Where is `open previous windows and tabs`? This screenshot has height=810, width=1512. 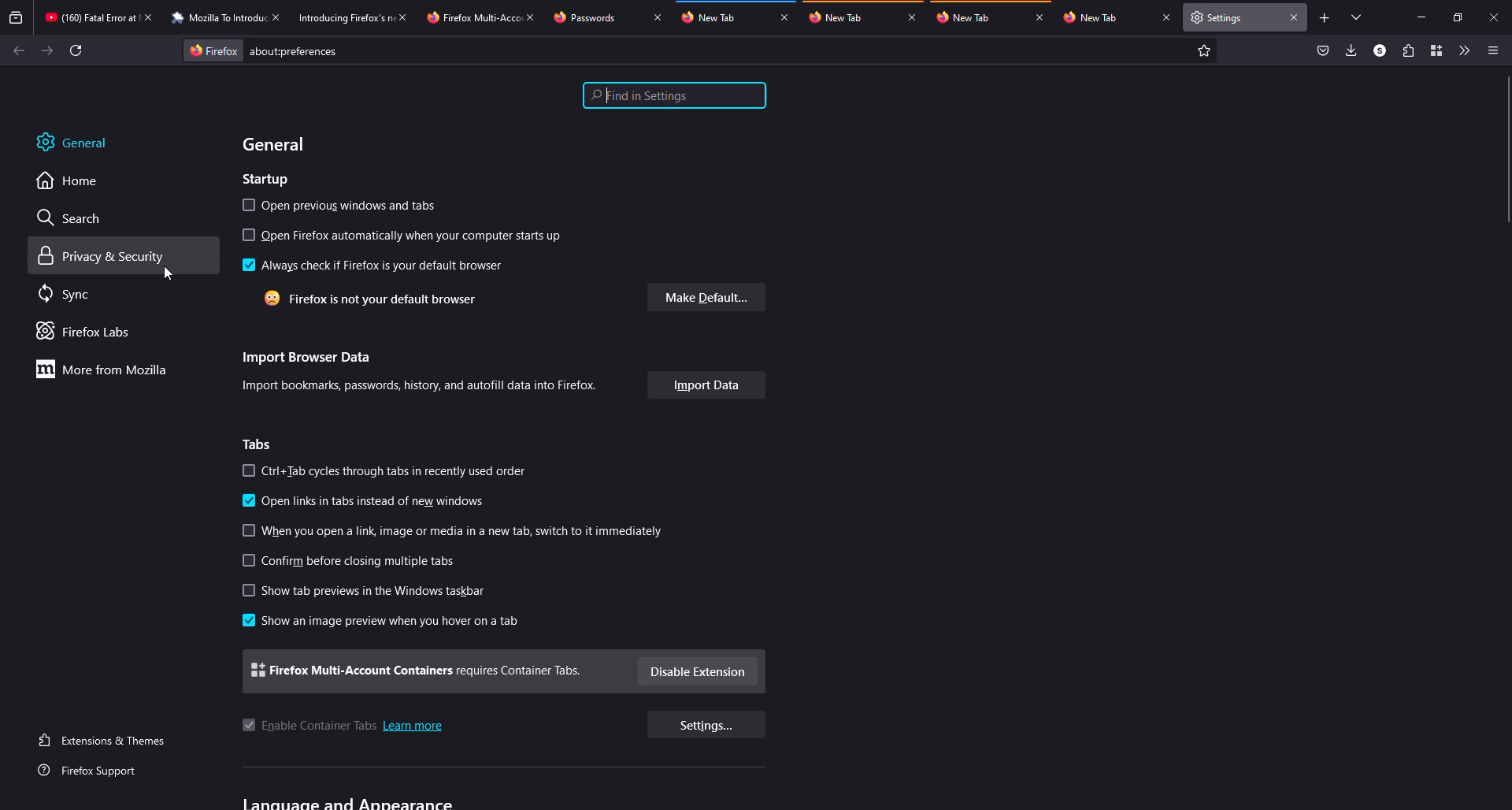 open previous windows and tabs is located at coordinates (355, 206).